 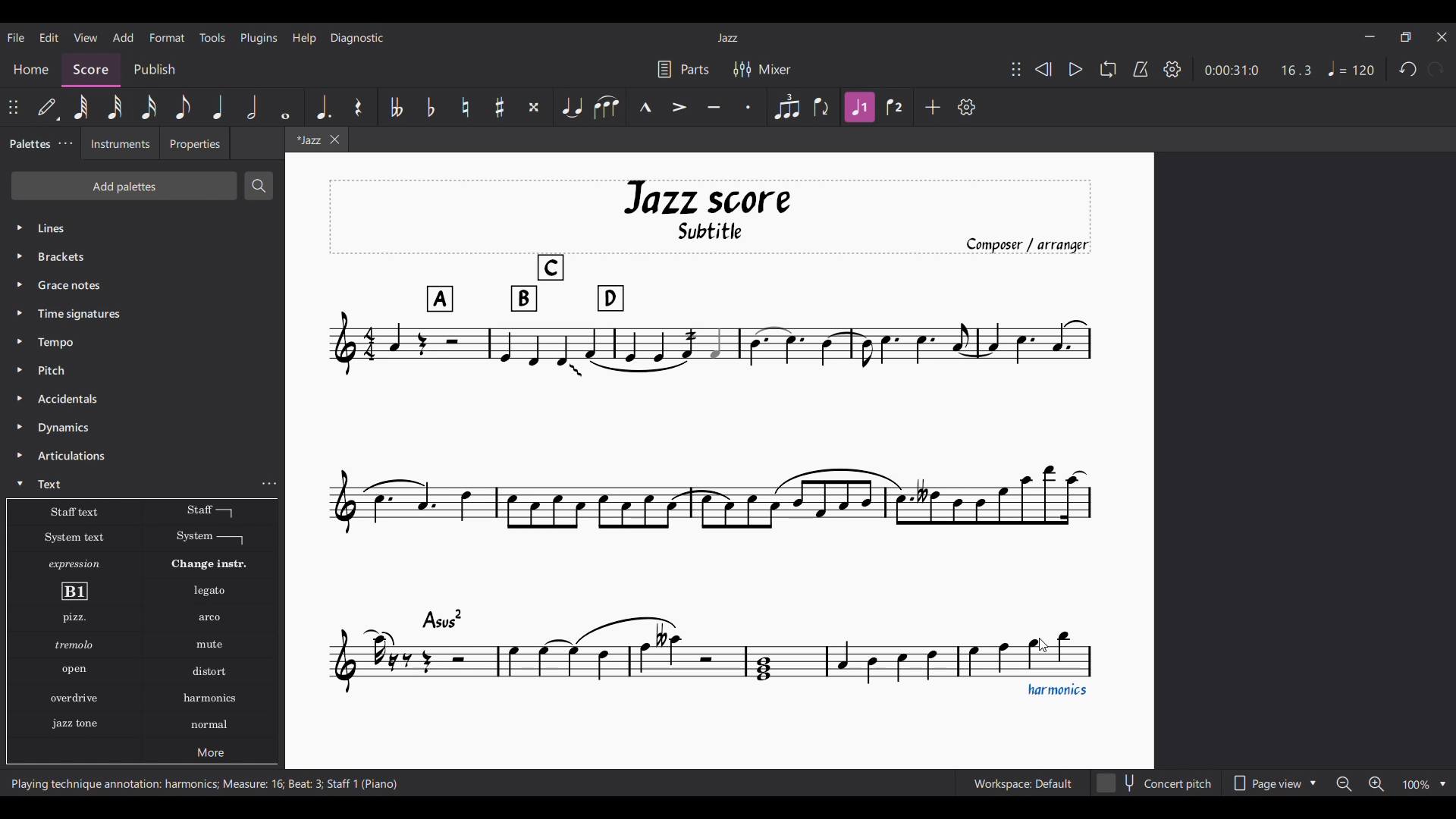 I want to click on Collapse, so click(x=20, y=483).